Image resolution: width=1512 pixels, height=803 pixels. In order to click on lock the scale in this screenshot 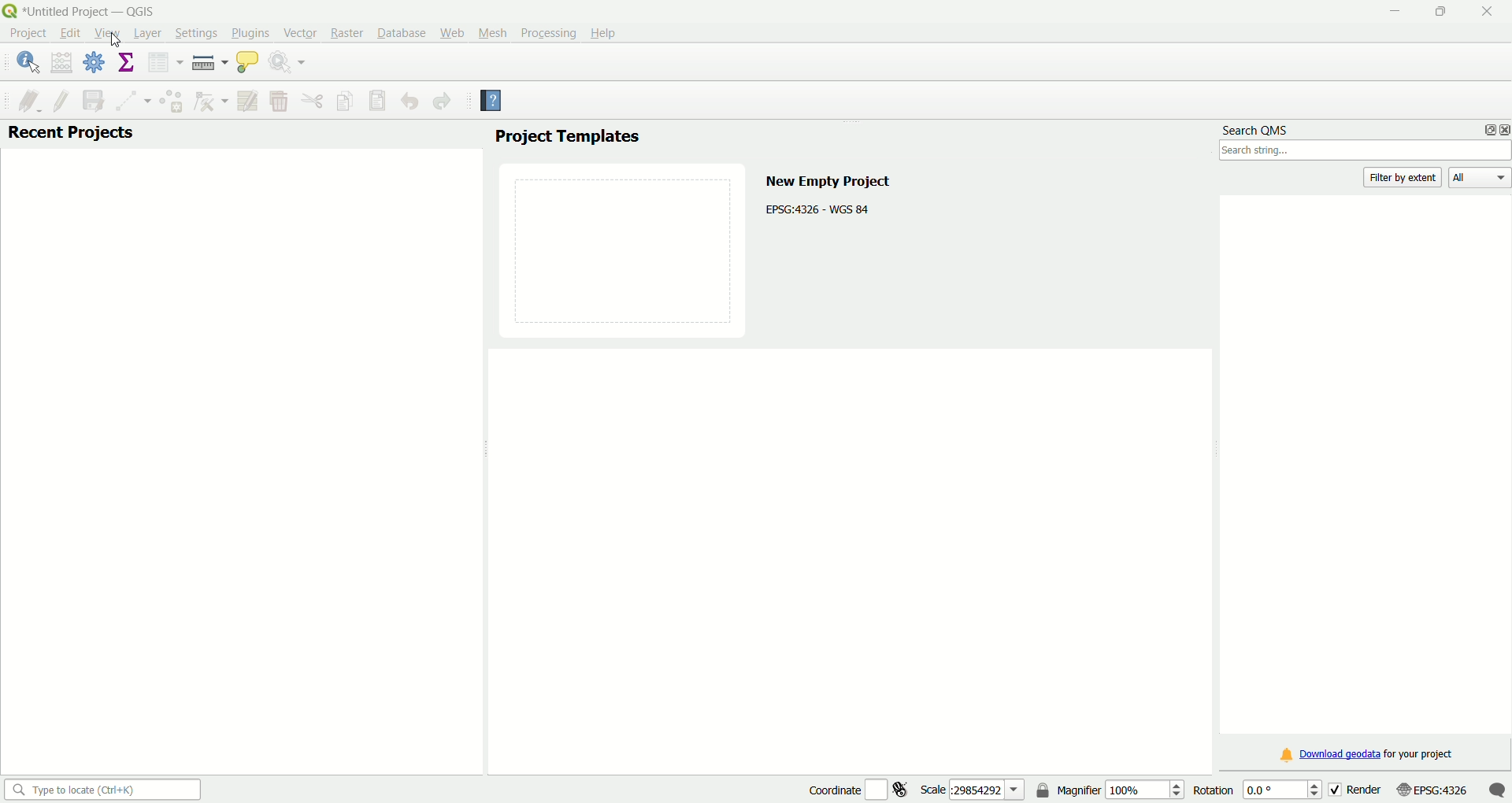, I will do `click(1043, 791)`.